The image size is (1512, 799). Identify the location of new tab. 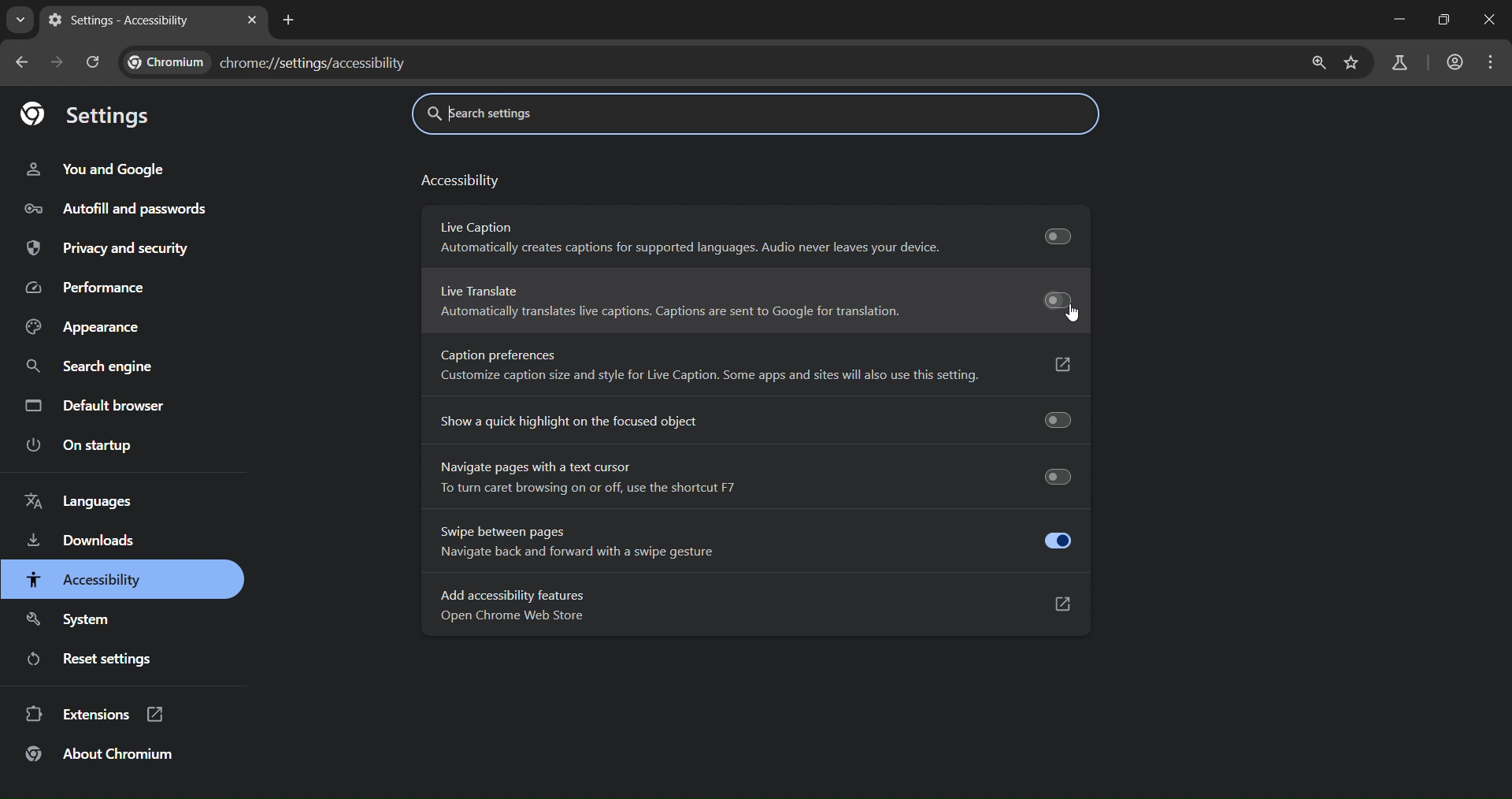
(287, 20).